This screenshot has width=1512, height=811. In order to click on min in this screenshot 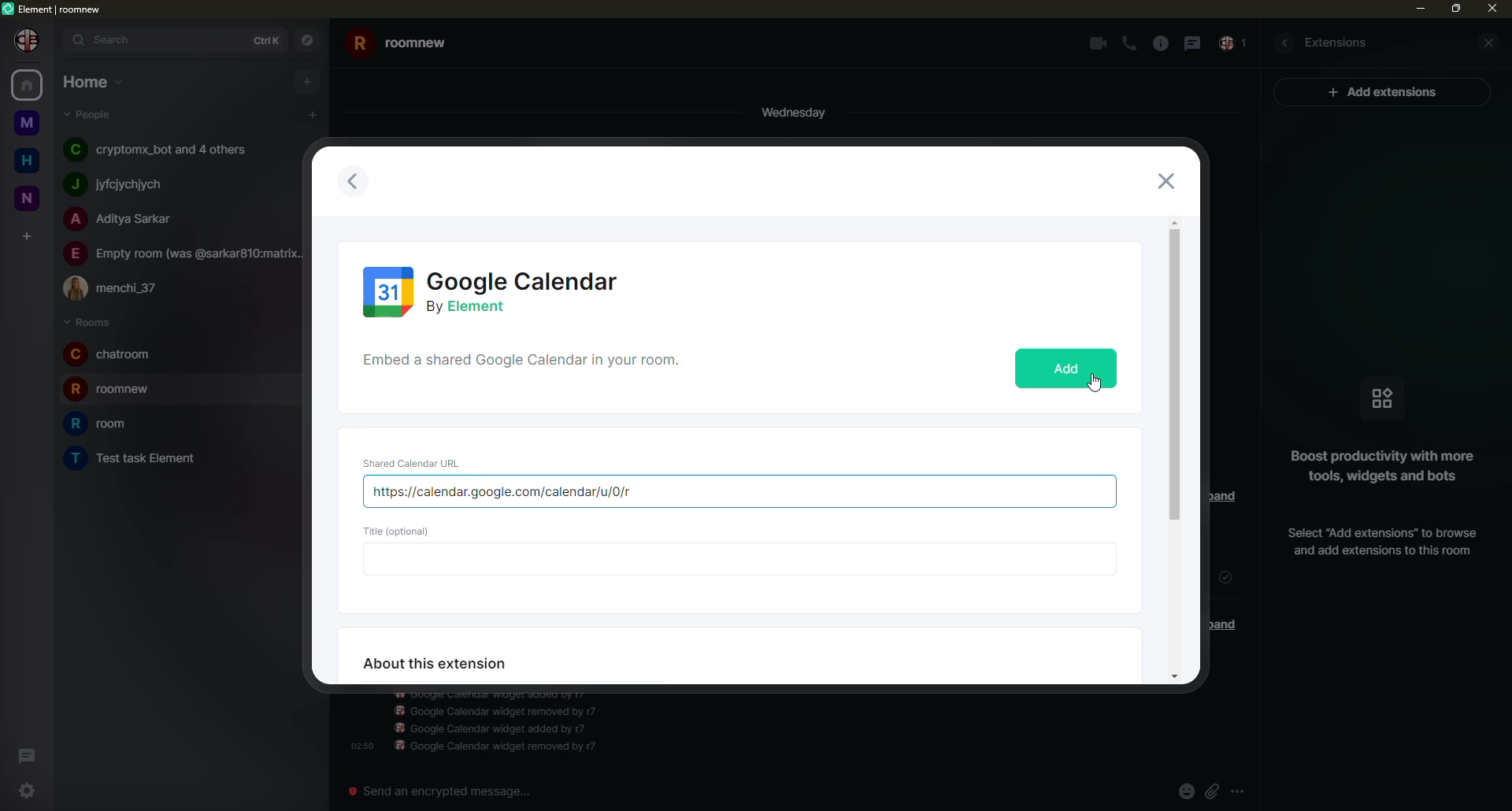, I will do `click(1415, 9)`.